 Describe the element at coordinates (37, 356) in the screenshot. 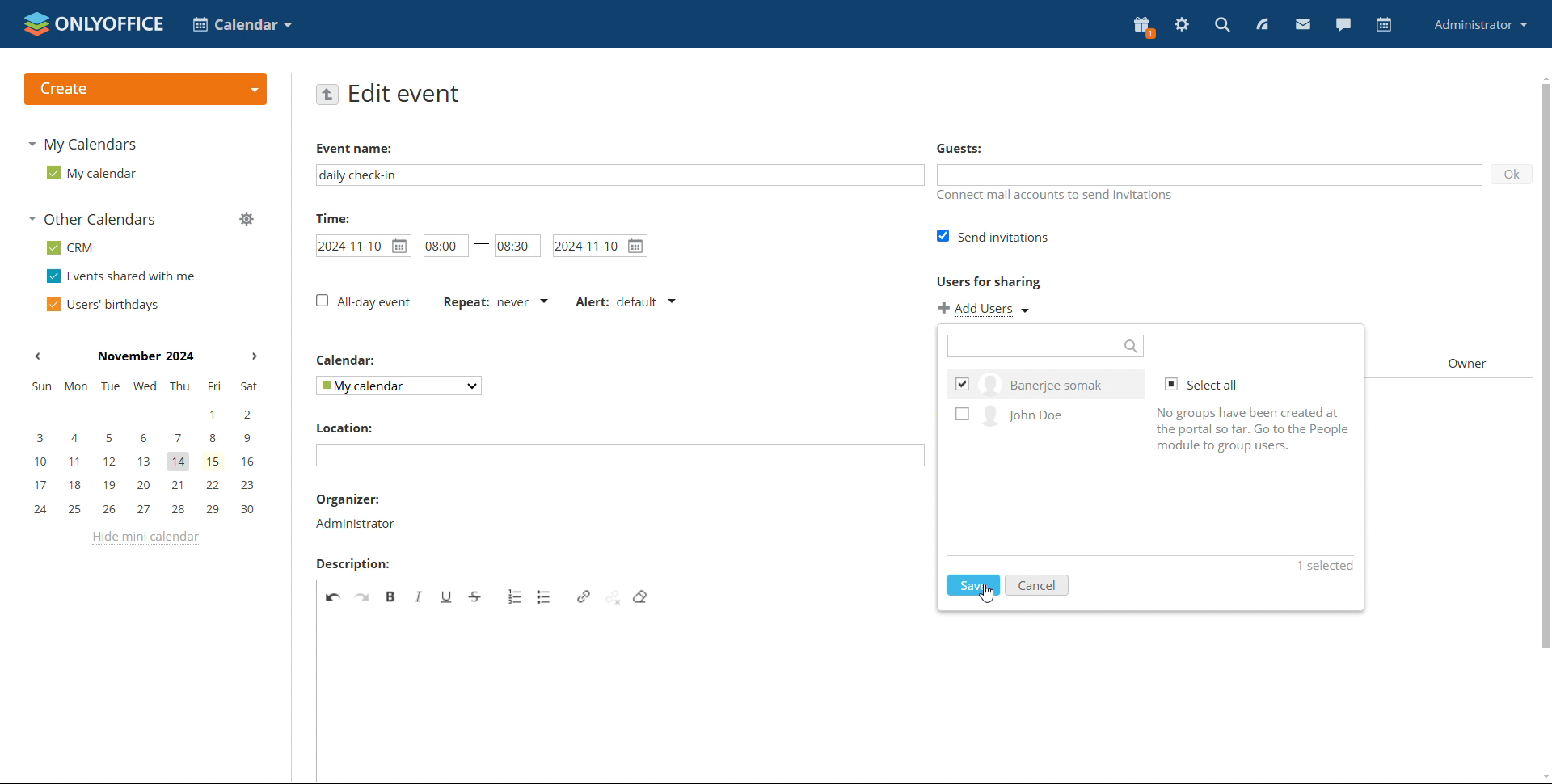

I see `previous month` at that location.